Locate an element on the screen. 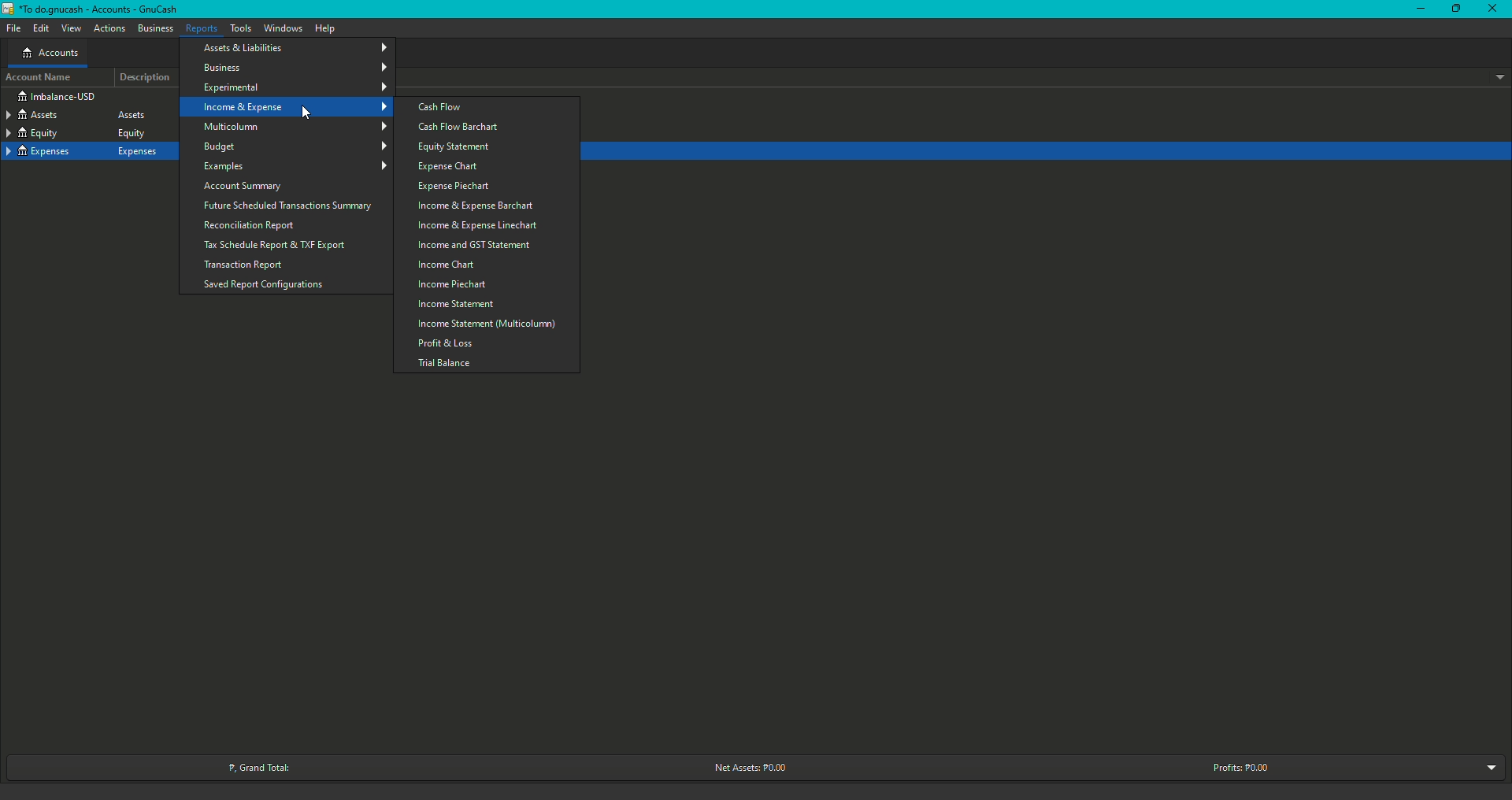  Reports is located at coordinates (202, 27).